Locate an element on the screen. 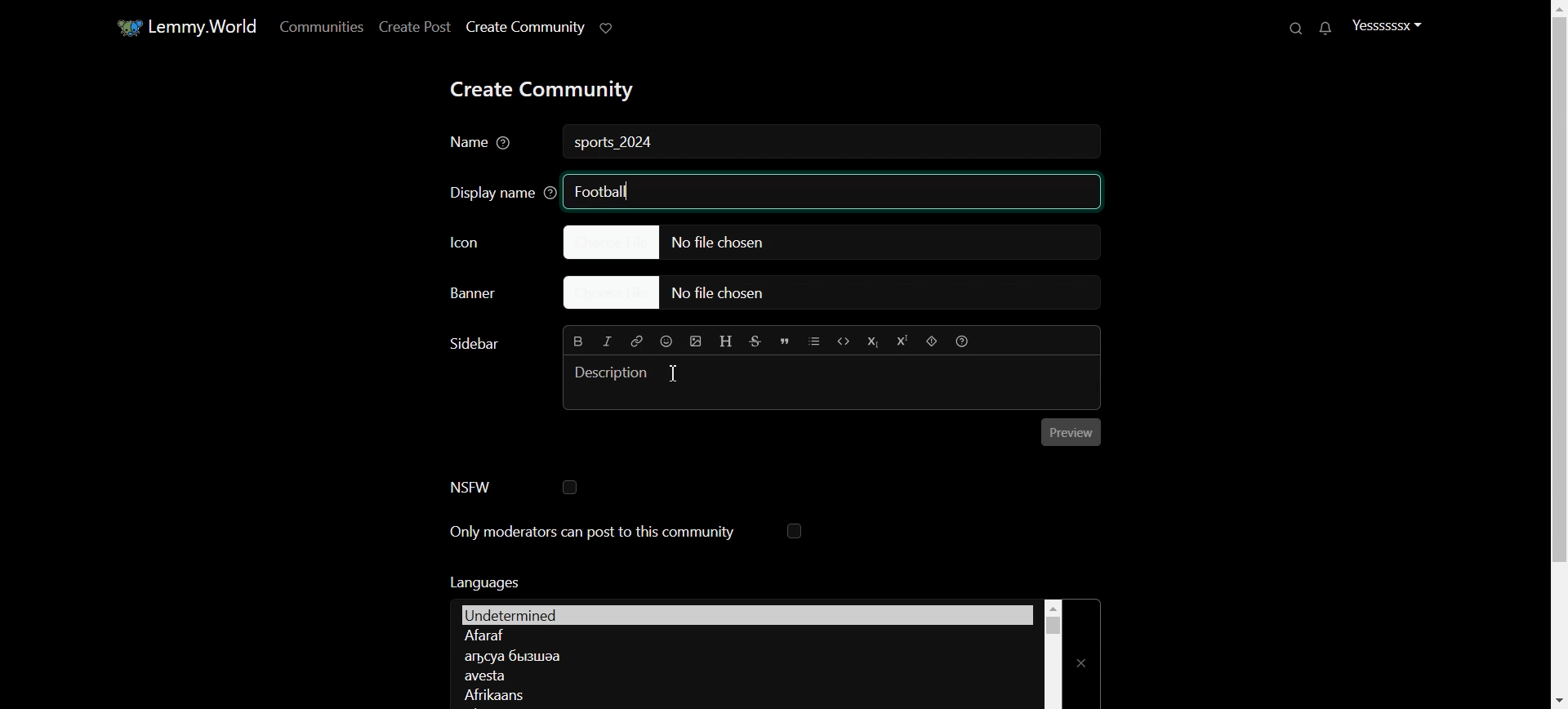 The height and width of the screenshot is (709, 1568). Choose Banner is located at coordinates (487, 296).